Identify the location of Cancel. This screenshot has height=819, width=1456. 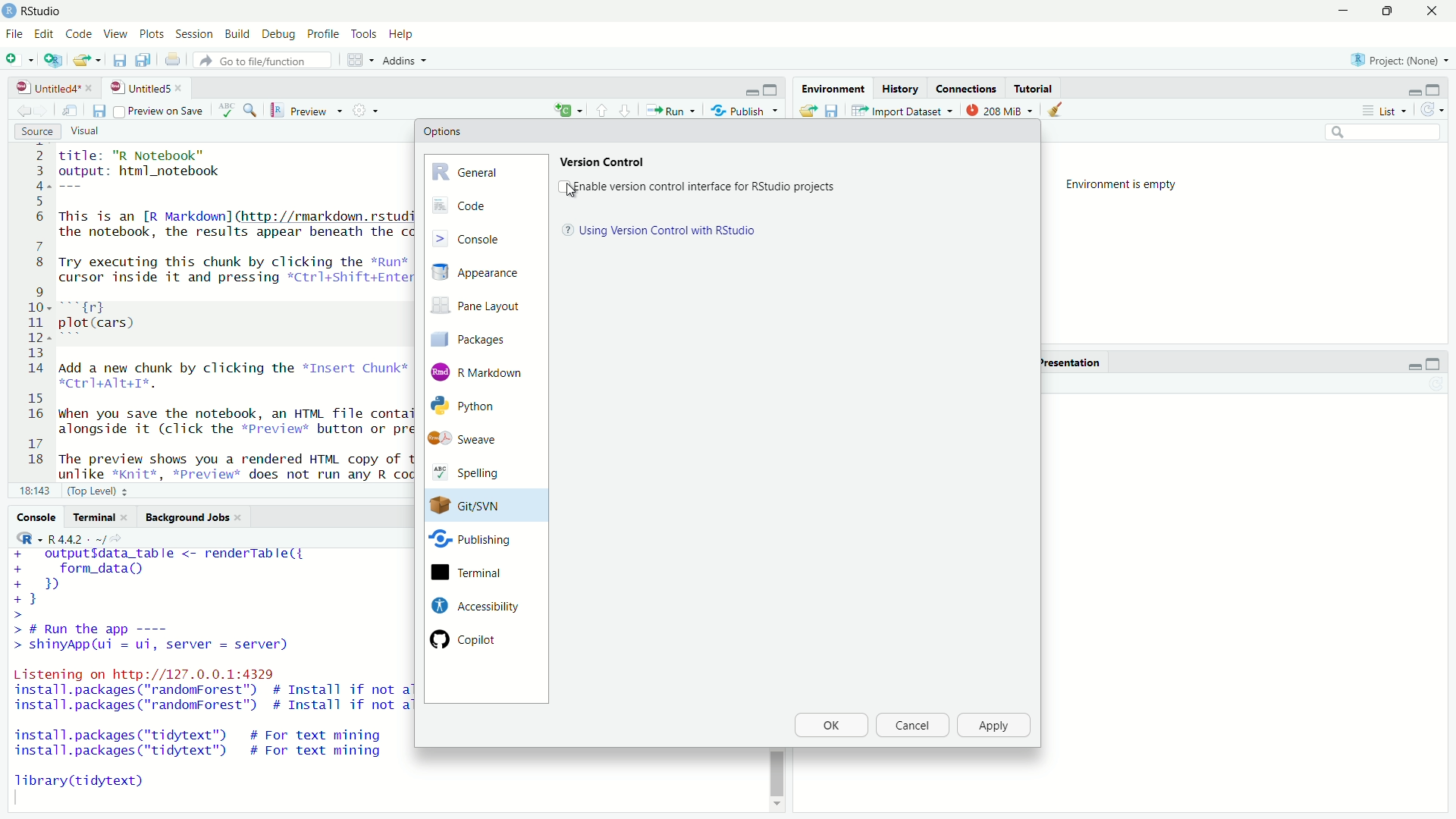
(911, 726).